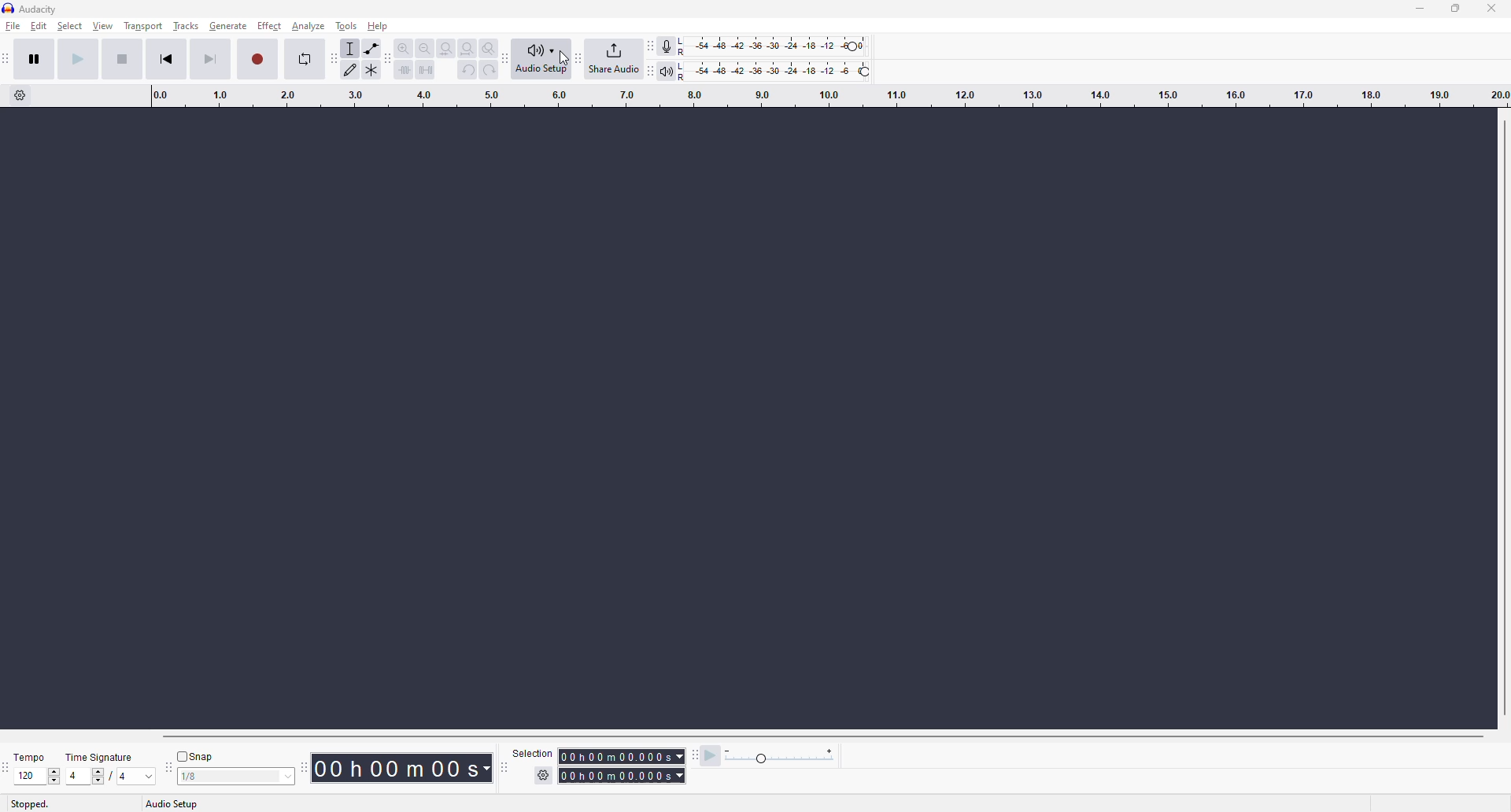 The height and width of the screenshot is (812, 1511). I want to click on timeline options, so click(19, 97).